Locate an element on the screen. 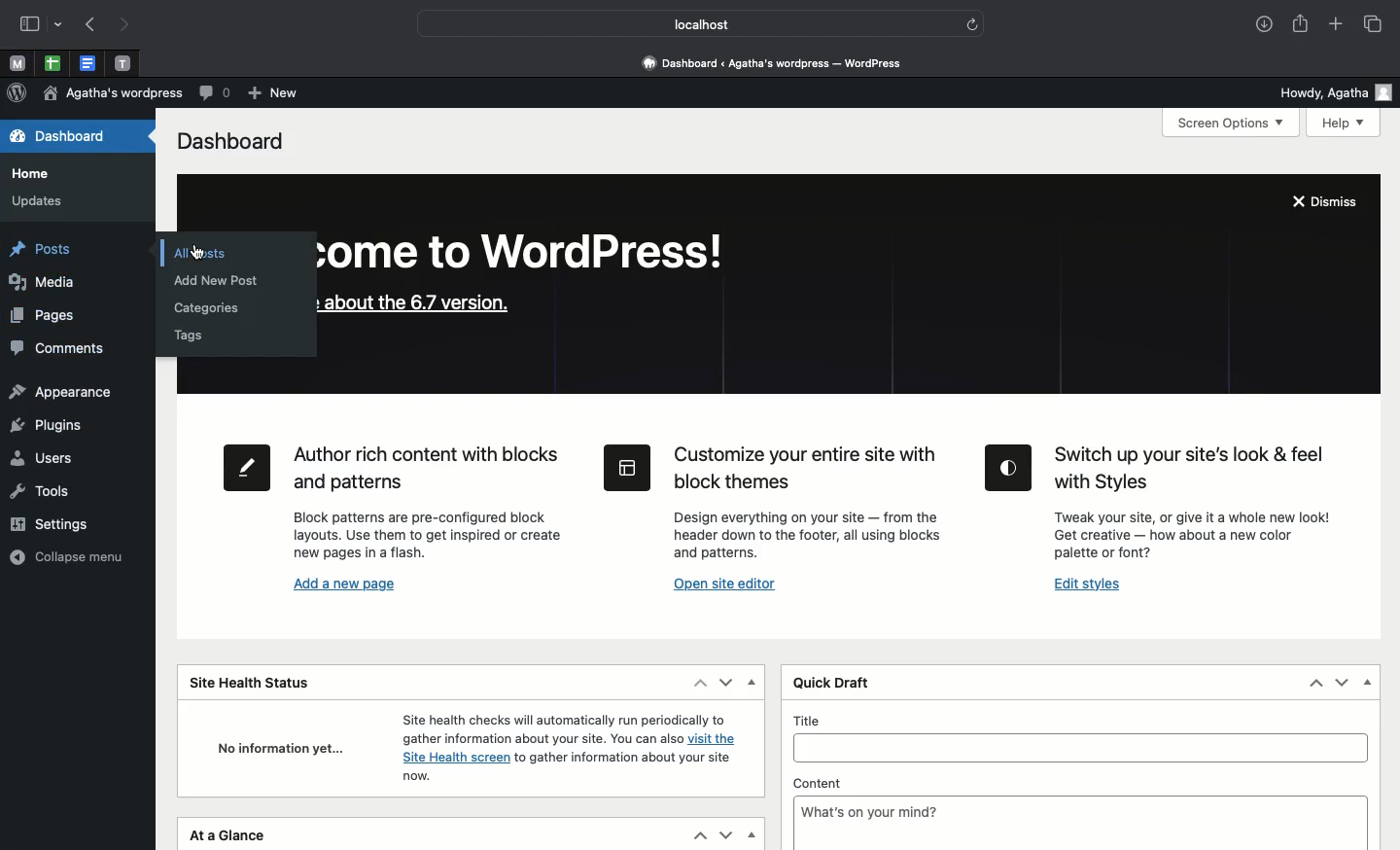  Content is located at coordinates (1082, 782).